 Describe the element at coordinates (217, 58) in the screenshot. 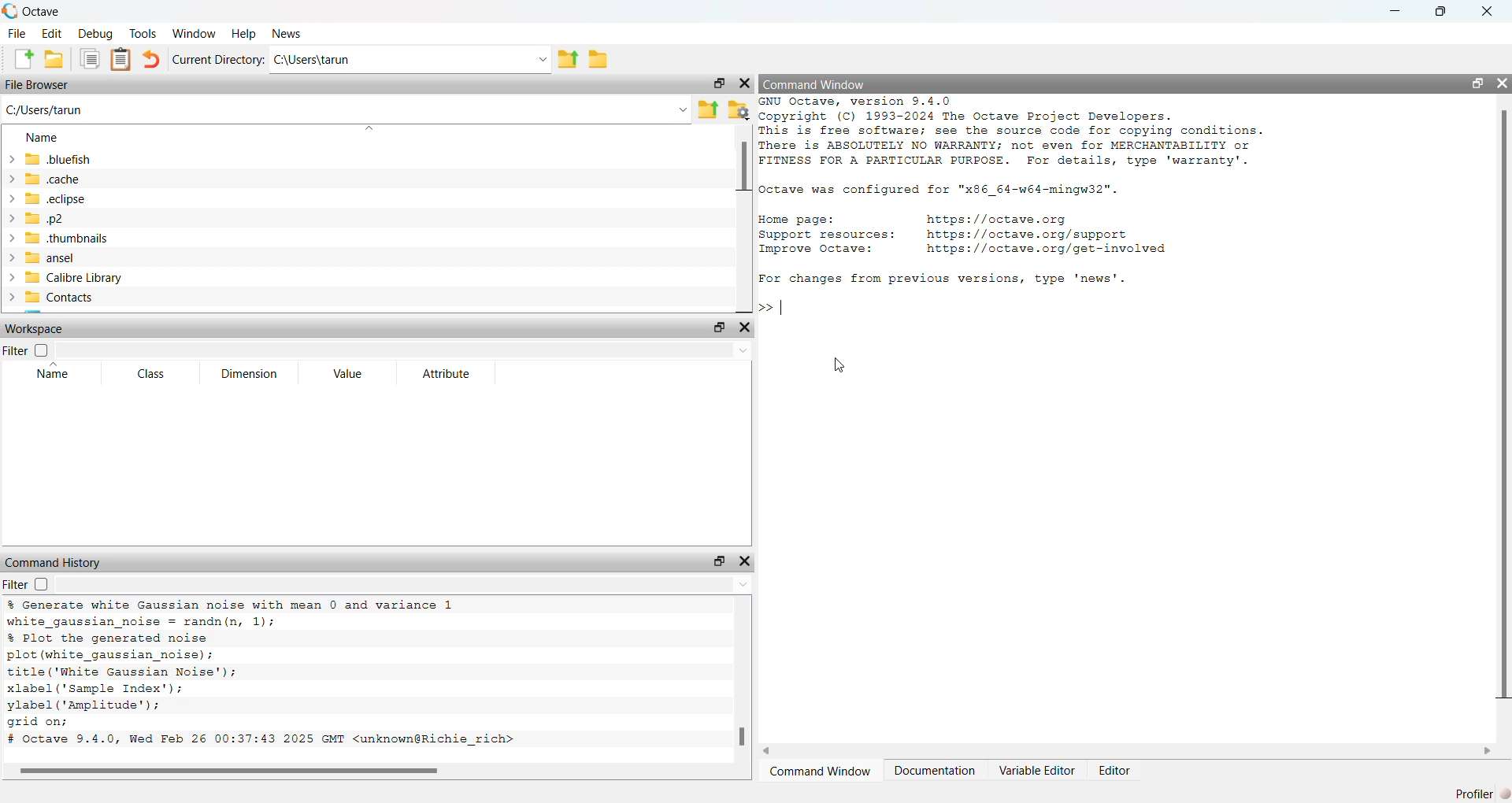

I see `Current Directory` at that location.